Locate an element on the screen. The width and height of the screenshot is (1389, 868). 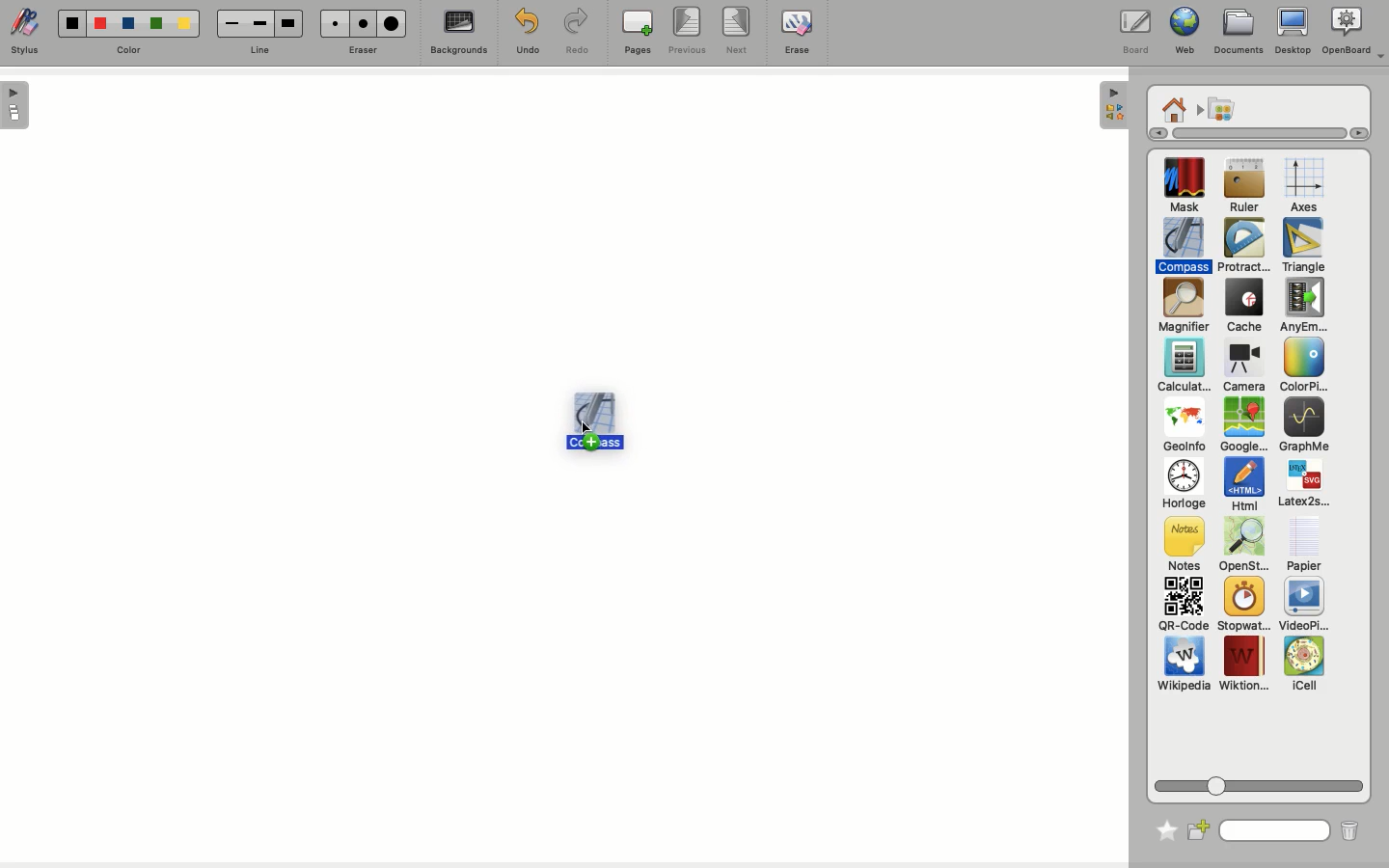
iCell is located at coordinates (1305, 665).